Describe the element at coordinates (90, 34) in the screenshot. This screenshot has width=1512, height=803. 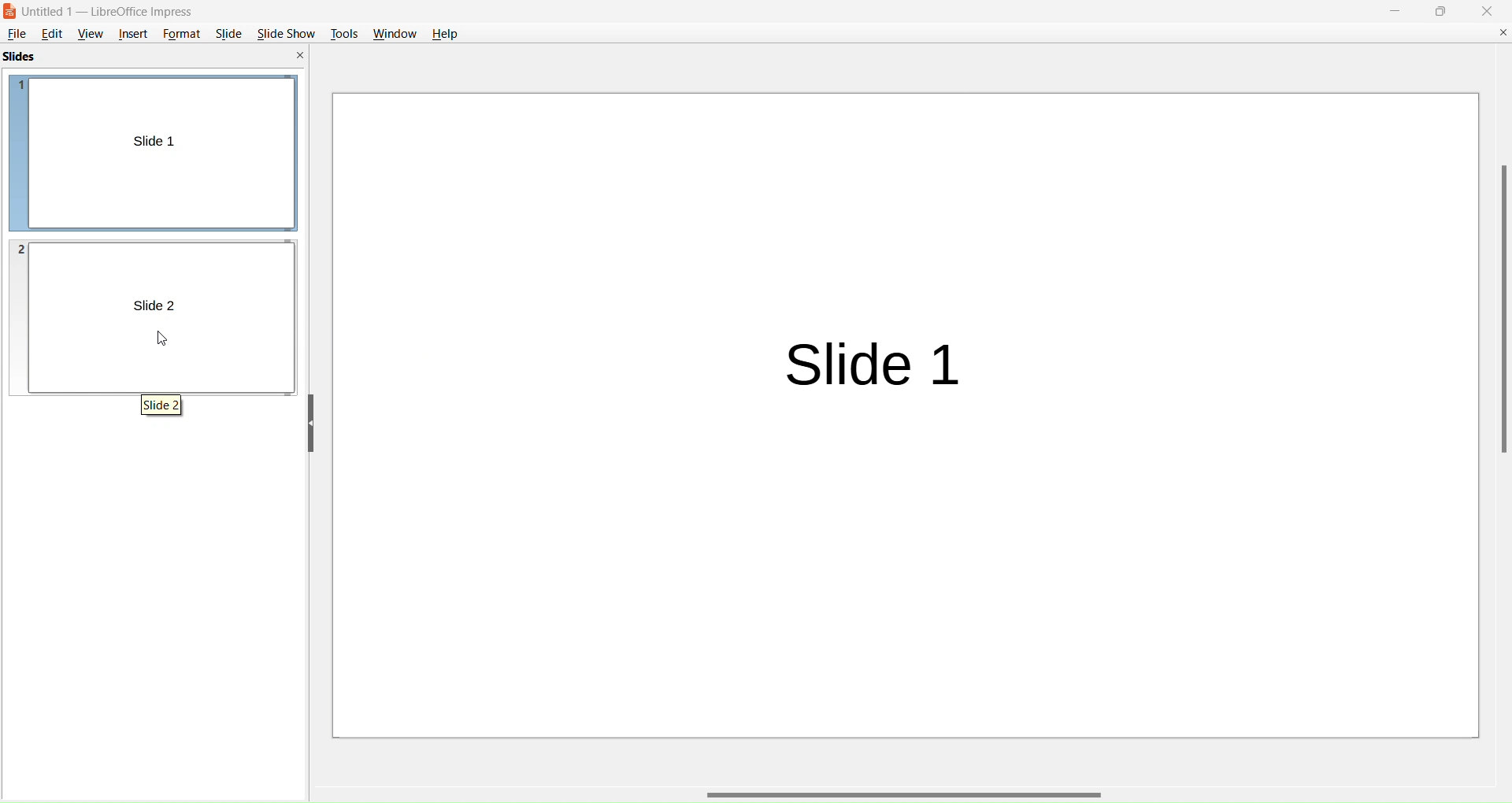
I see `view` at that location.